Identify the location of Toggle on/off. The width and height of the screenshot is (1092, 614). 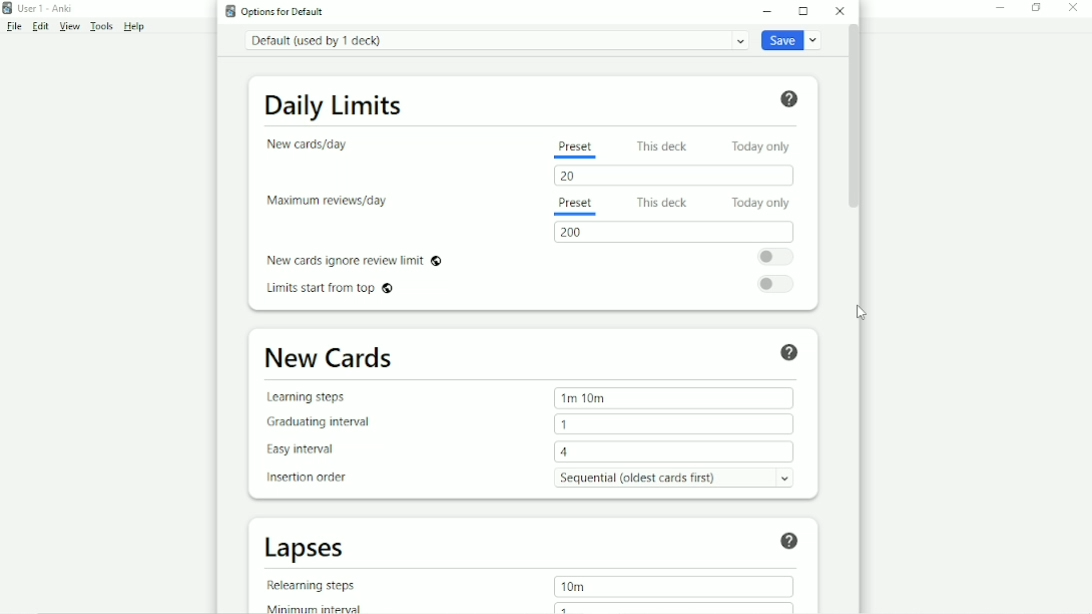
(772, 256).